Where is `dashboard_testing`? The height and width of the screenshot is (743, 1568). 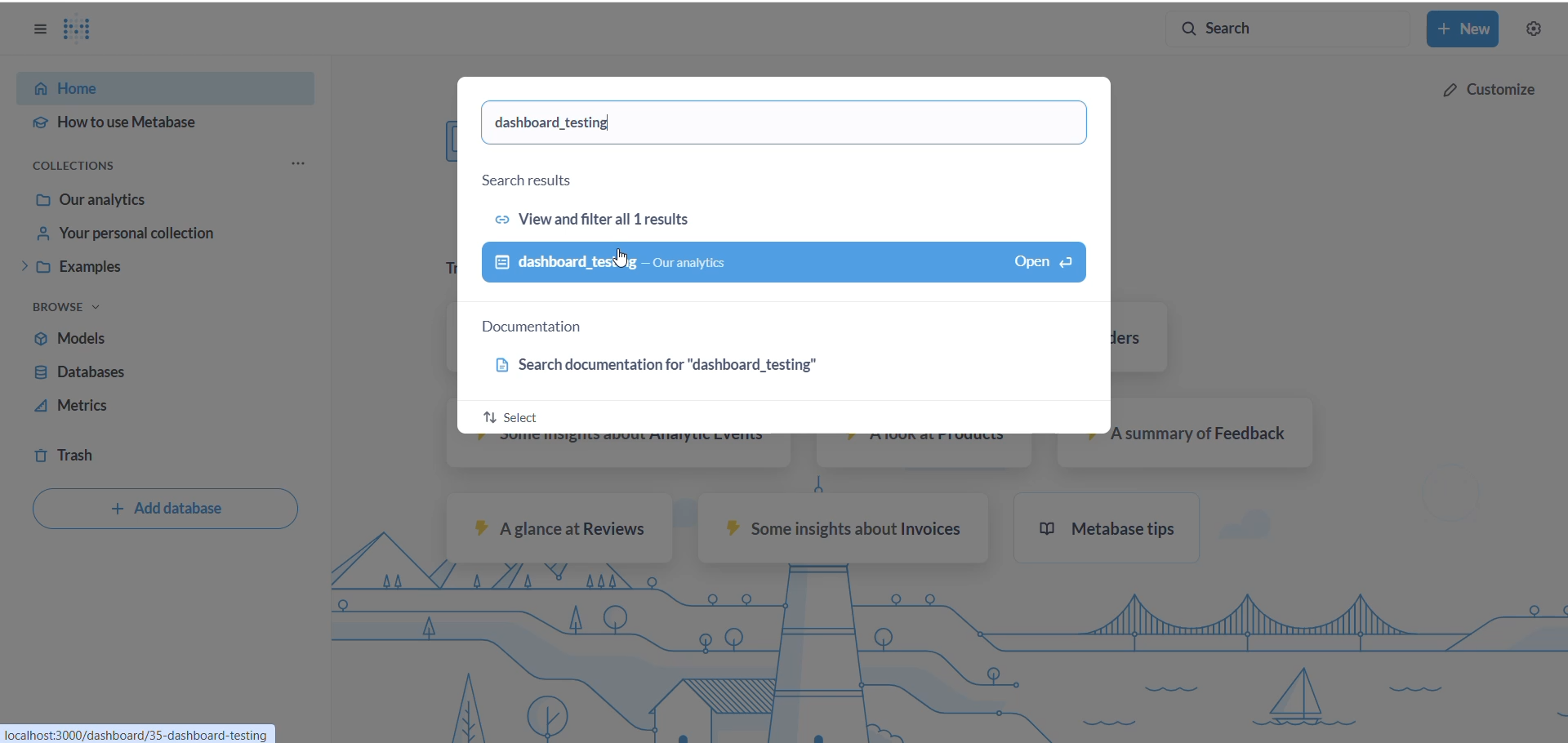 dashboard_testing is located at coordinates (568, 123).